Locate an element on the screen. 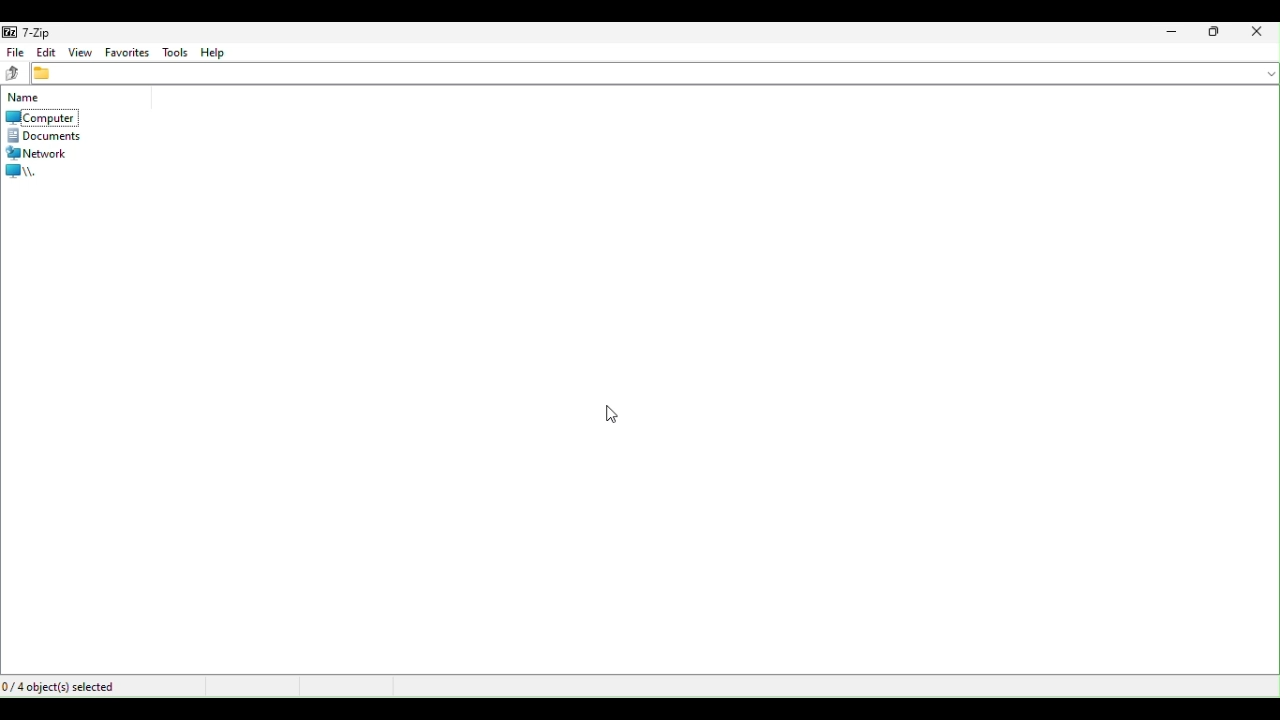 The width and height of the screenshot is (1280, 720). favourite is located at coordinates (126, 52).